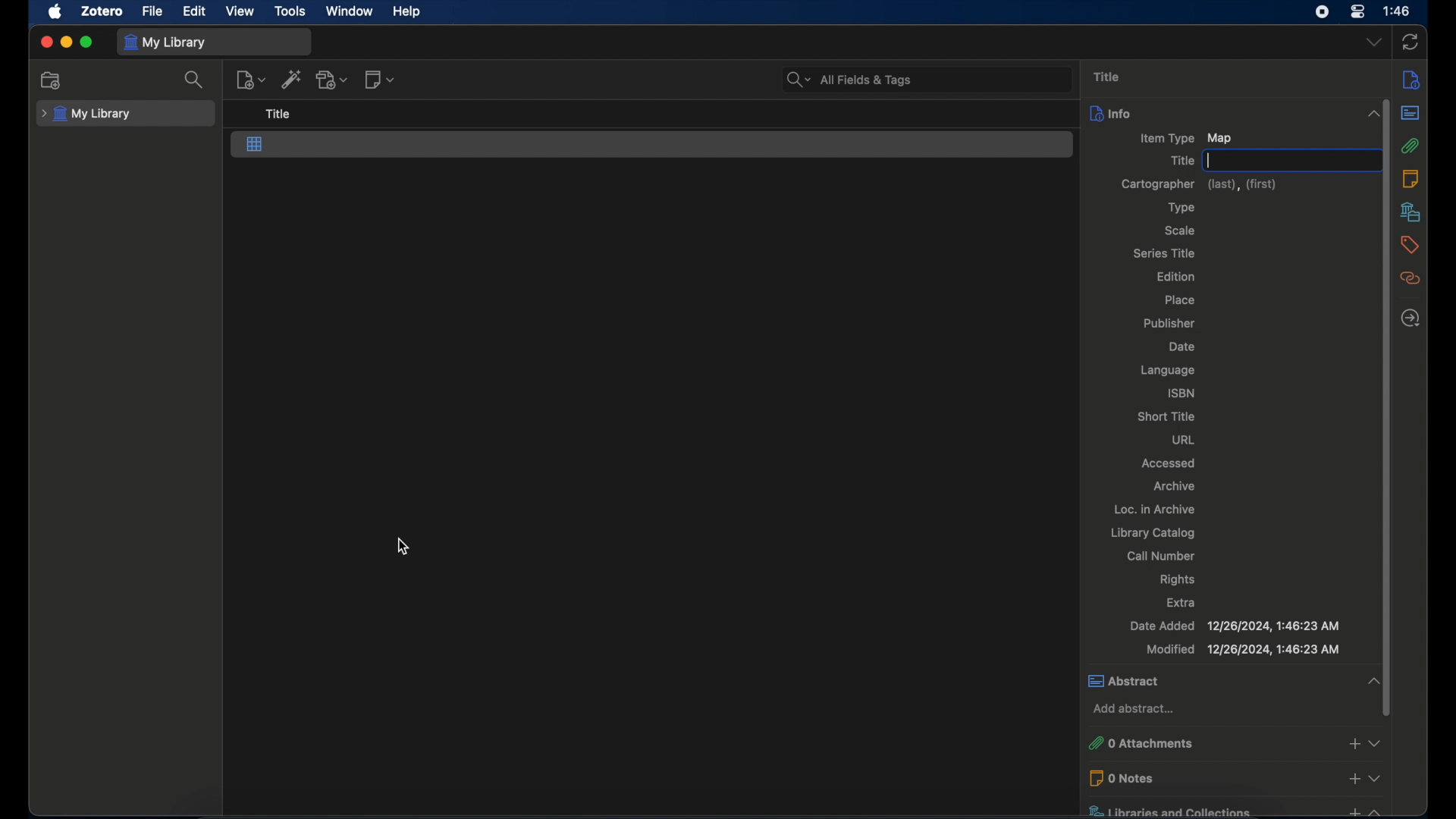 The width and height of the screenshot is (1456, 819). What do you see at coordinates (1161, 556) in the screenshot?
I see `call number` at bounding box center [1161, 556].